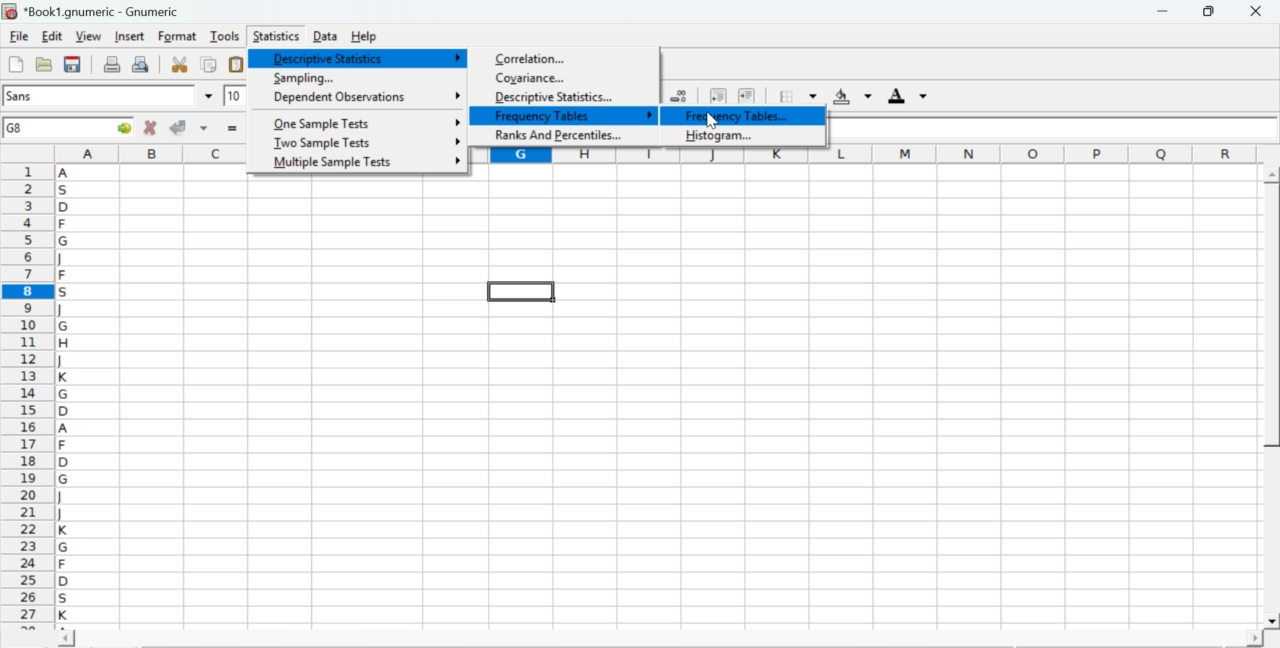 Image resolution: width=1280 pixels, height=648 pixels. What do you see at coordinates (73, 64) in the screenshot?
I see `save current workbook` at bounding box center [73, 64].